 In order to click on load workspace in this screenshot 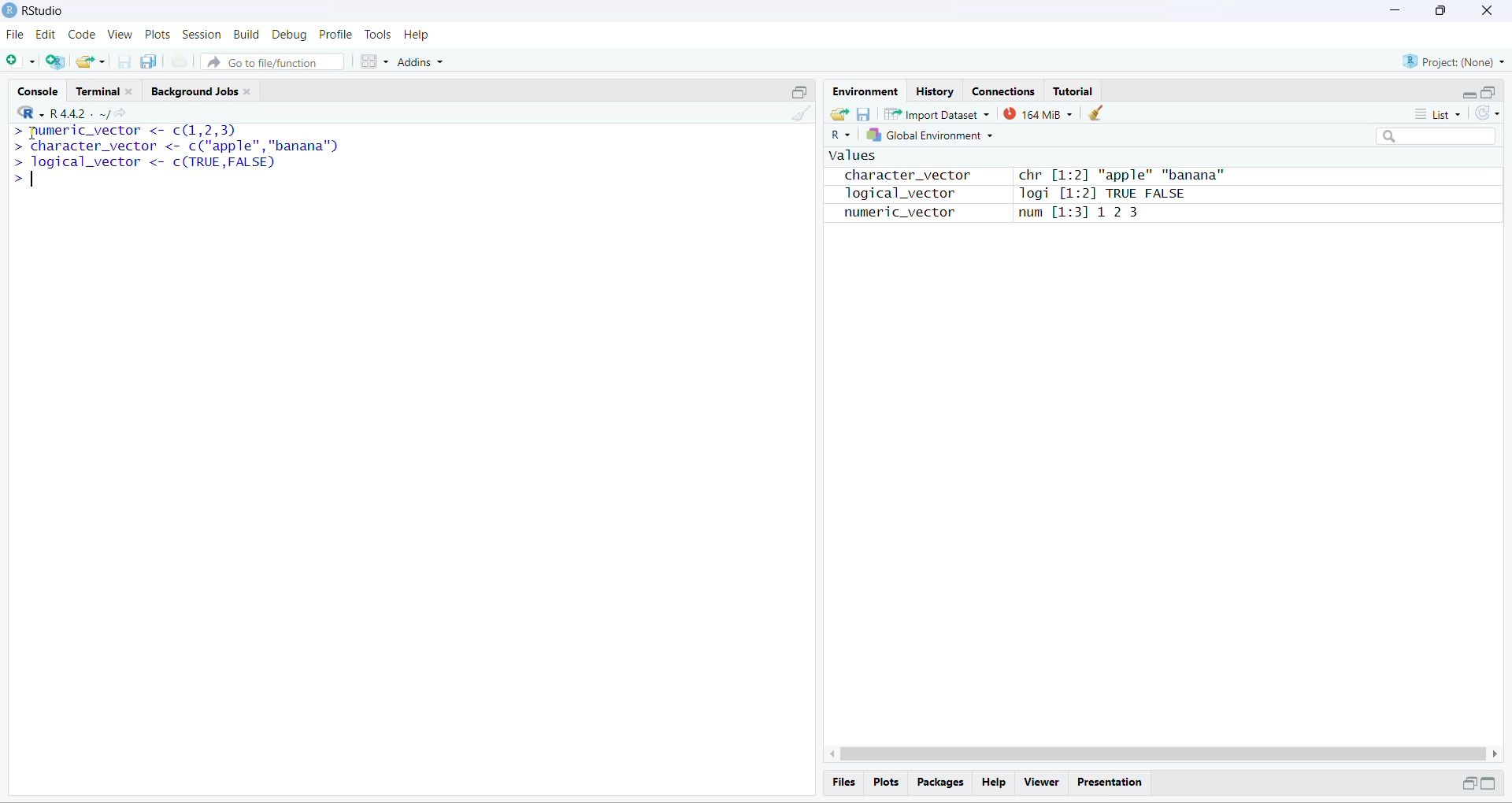, I will do `click(838, 113)`.